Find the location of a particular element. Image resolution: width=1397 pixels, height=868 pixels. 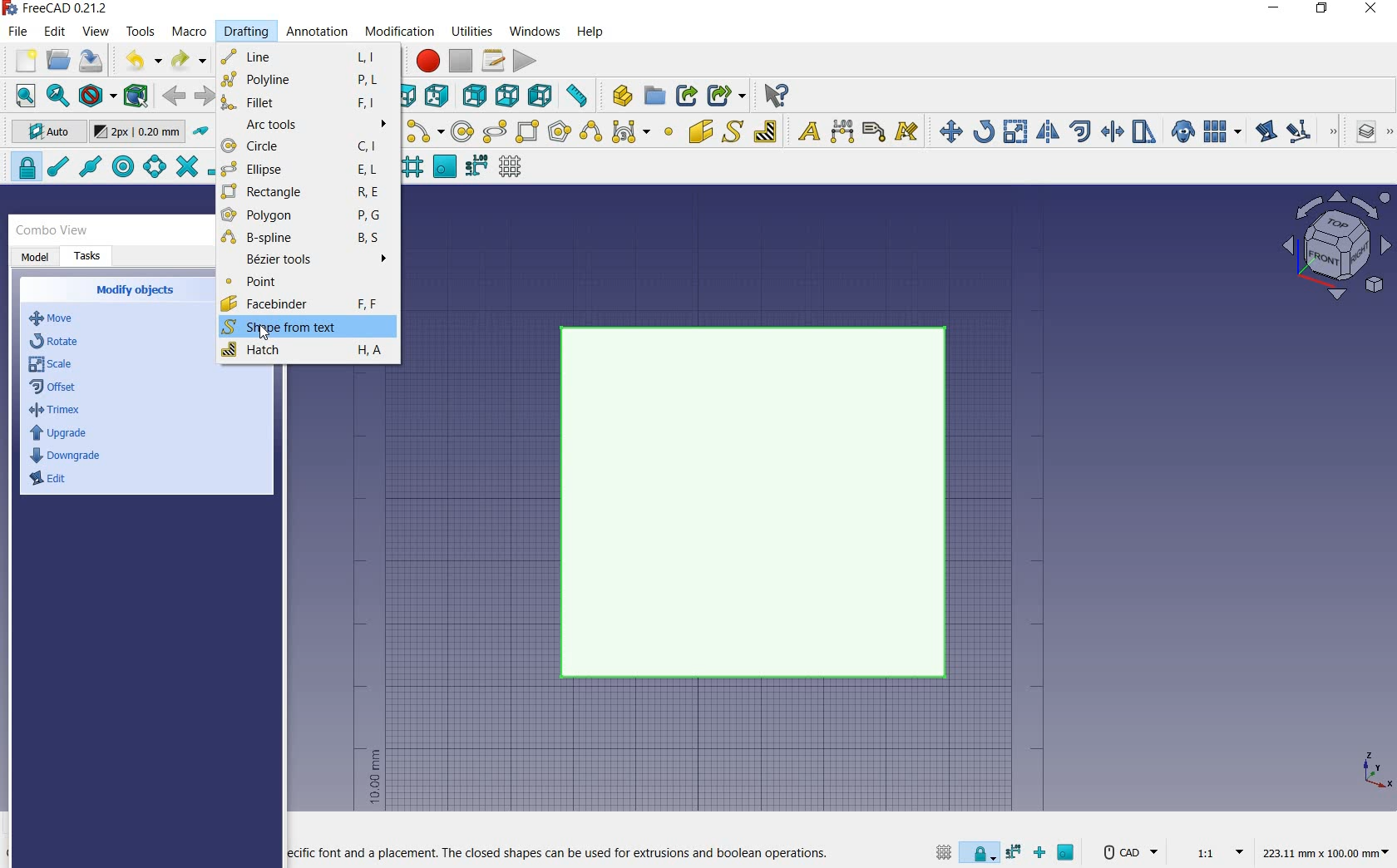

execute macro is located at coordinates (526, 61).